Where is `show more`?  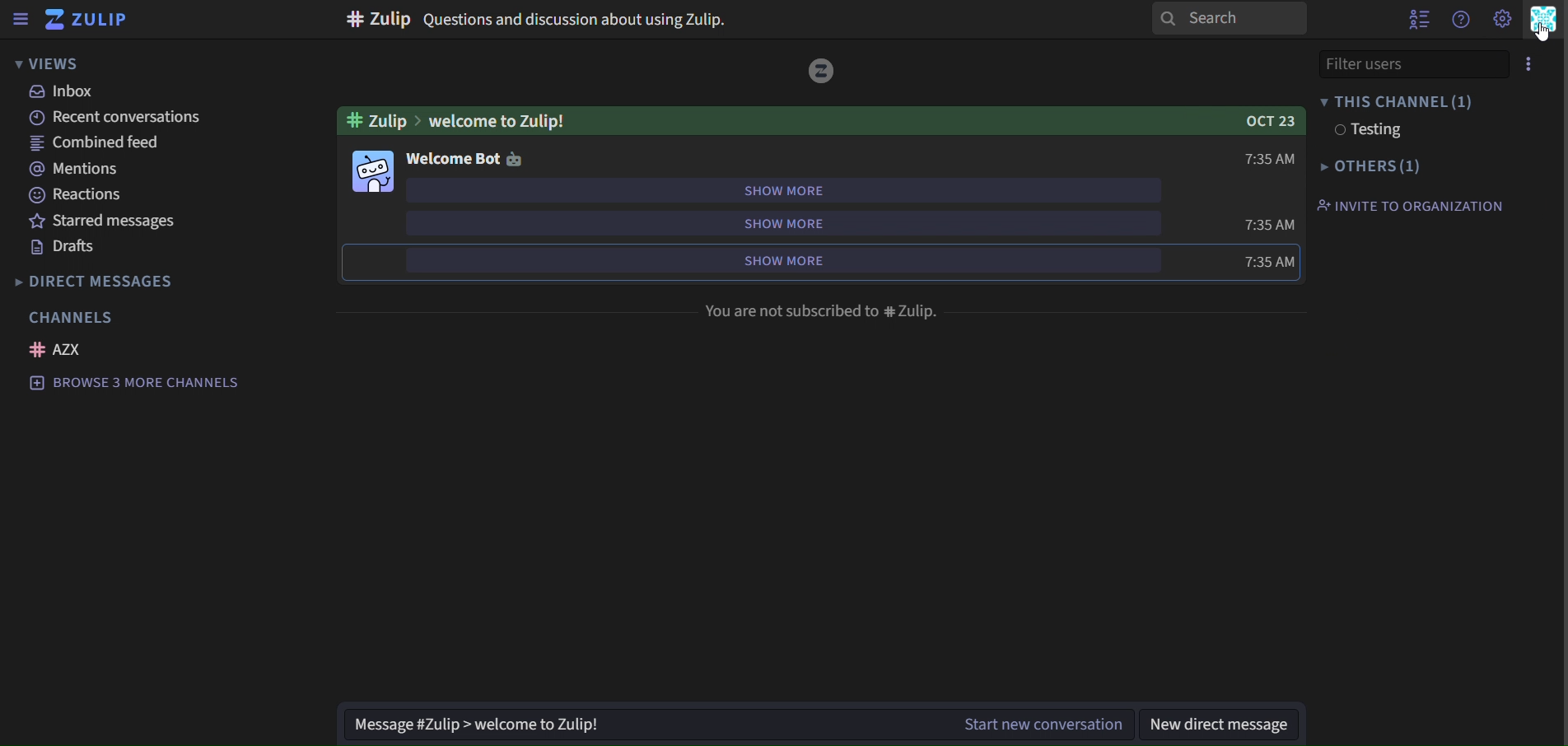 show more is located at coordinates (783, 224).